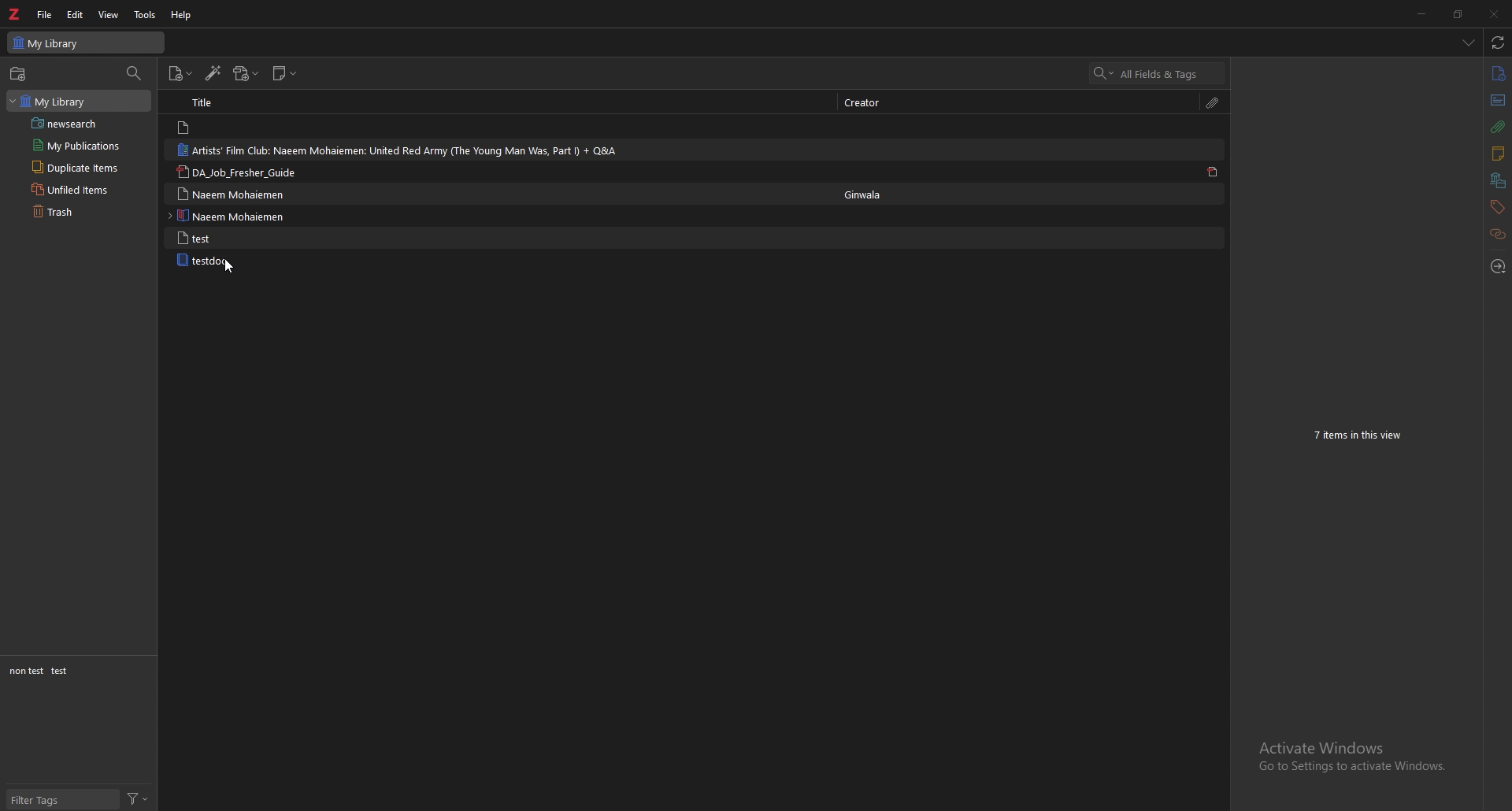  I want to click on close, so click(1493, 13).